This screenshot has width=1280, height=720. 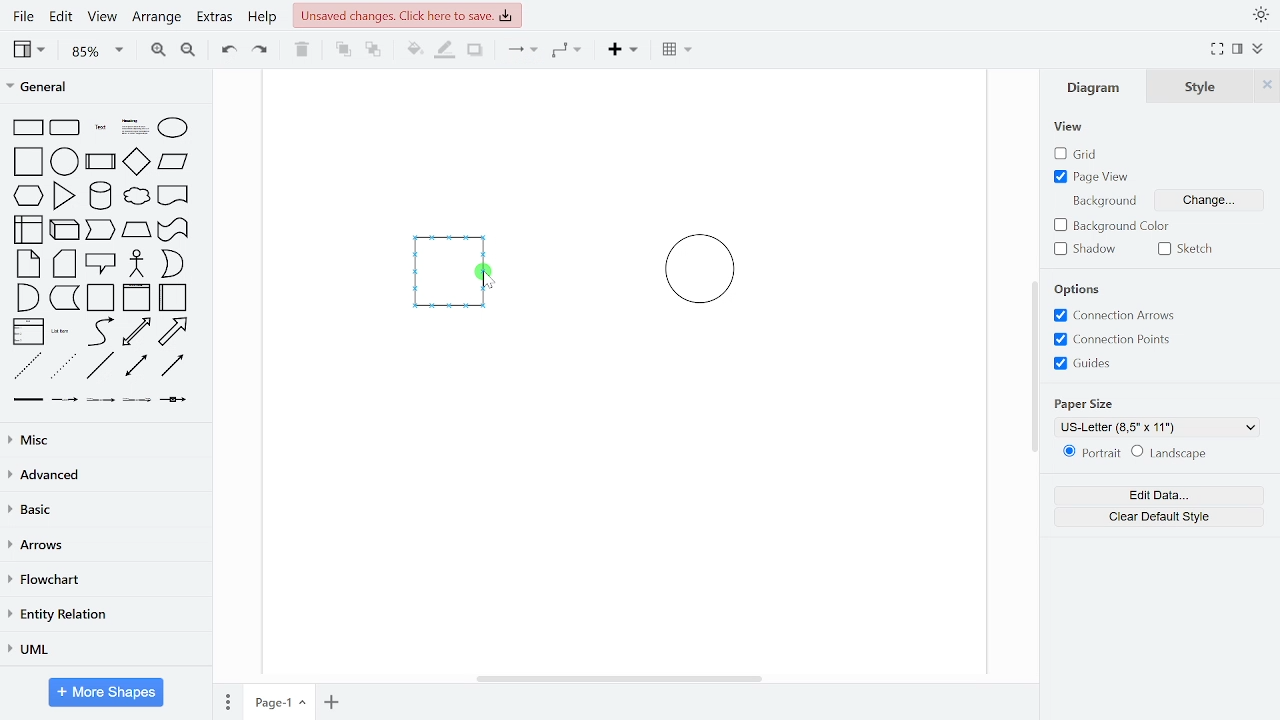 I want to click on options, so click(x=1083, y=290).